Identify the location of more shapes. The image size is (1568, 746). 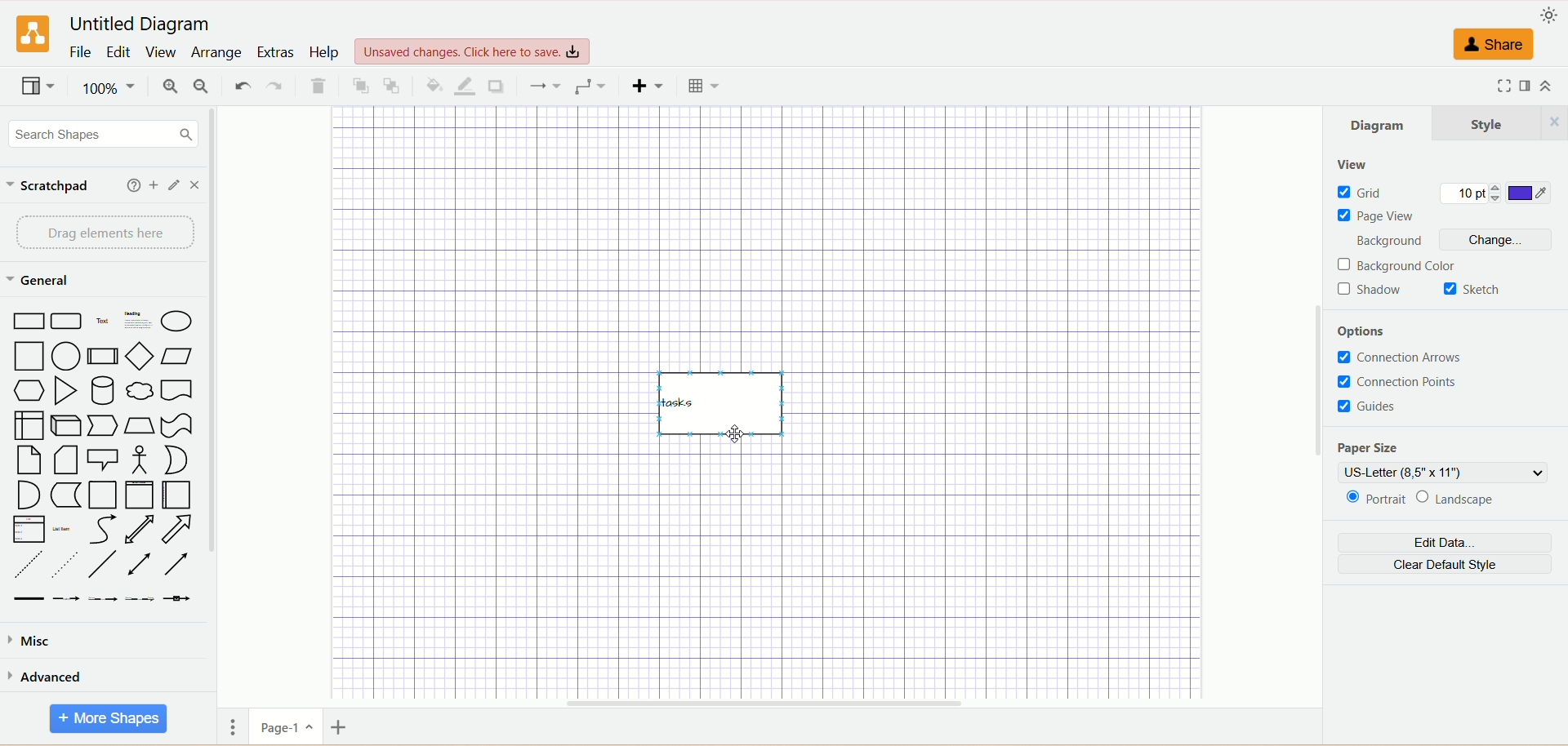
(107, 719).